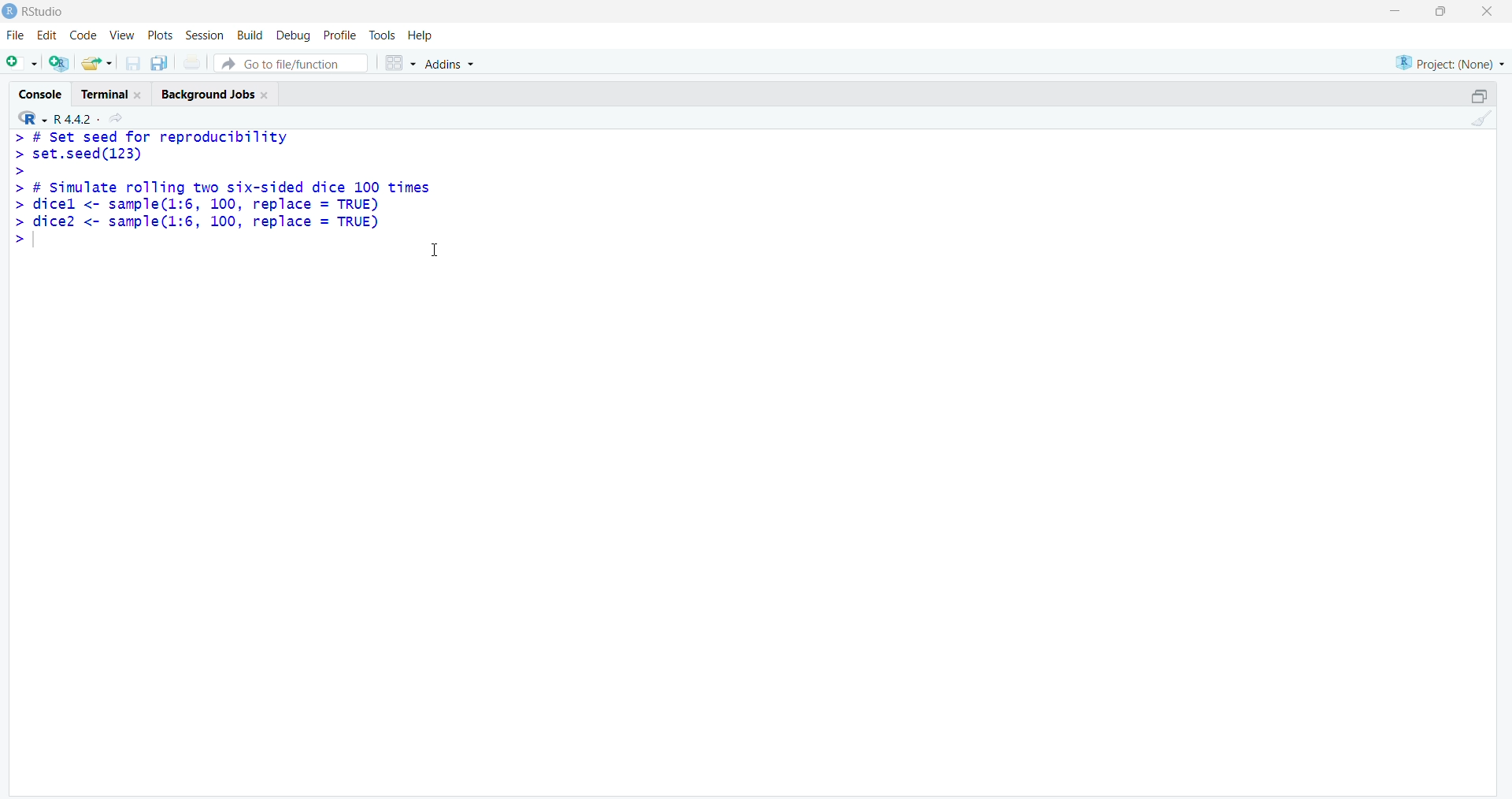  I want to click on save, so click(132, 63).